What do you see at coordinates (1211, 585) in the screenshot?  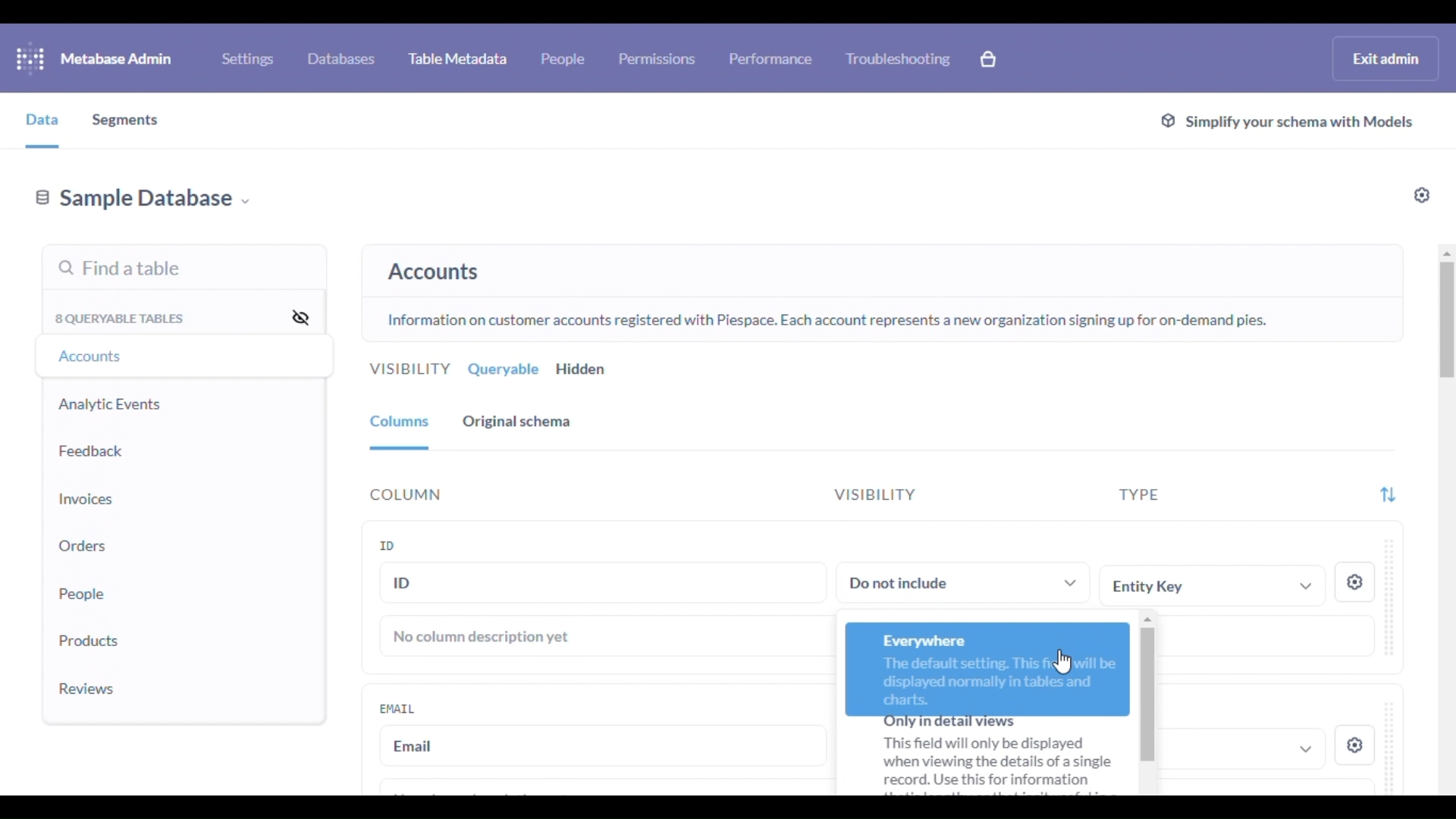 I see `entity key` at bounding box center [1211, 585].